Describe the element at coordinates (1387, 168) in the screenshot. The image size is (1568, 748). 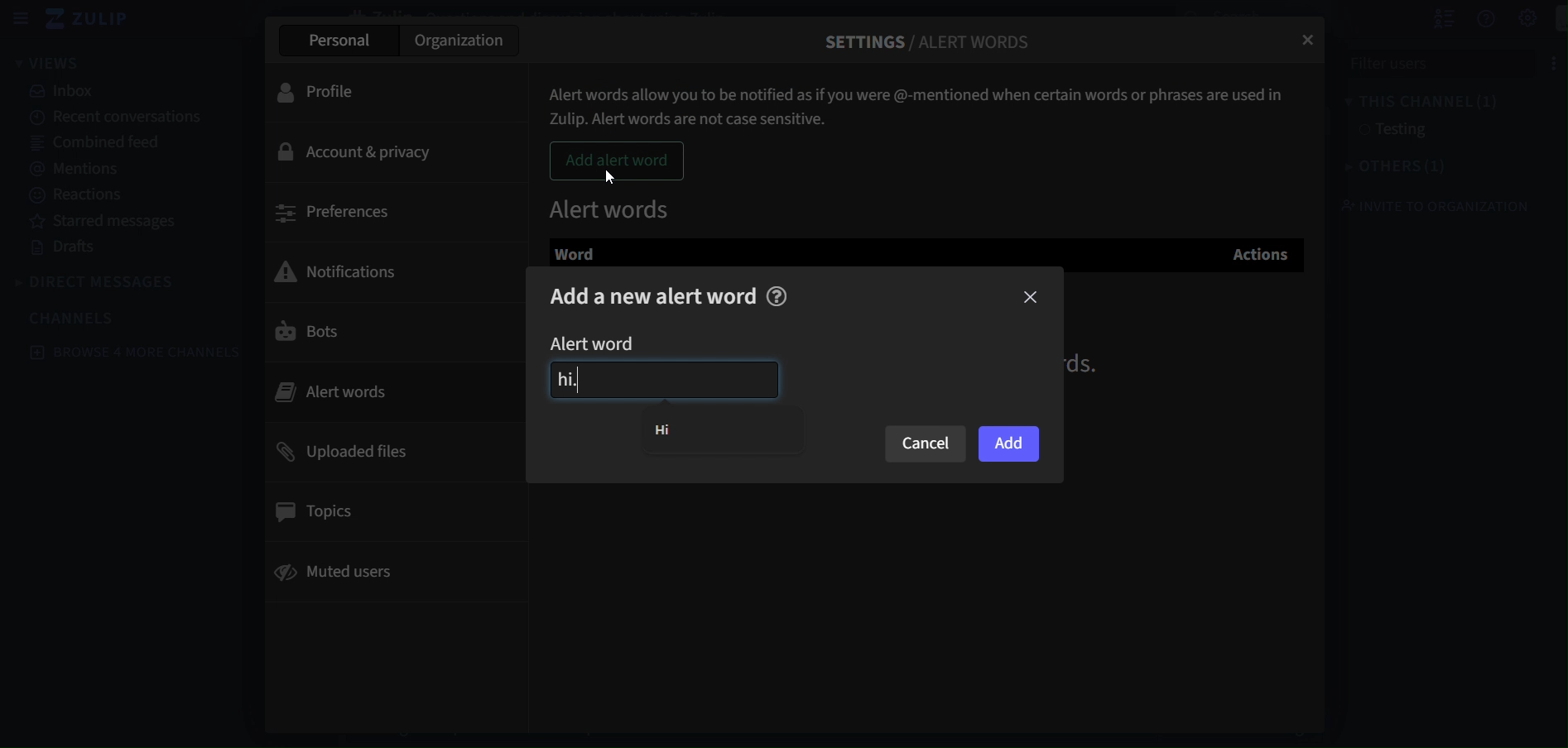
I see `others(1)` at that location.